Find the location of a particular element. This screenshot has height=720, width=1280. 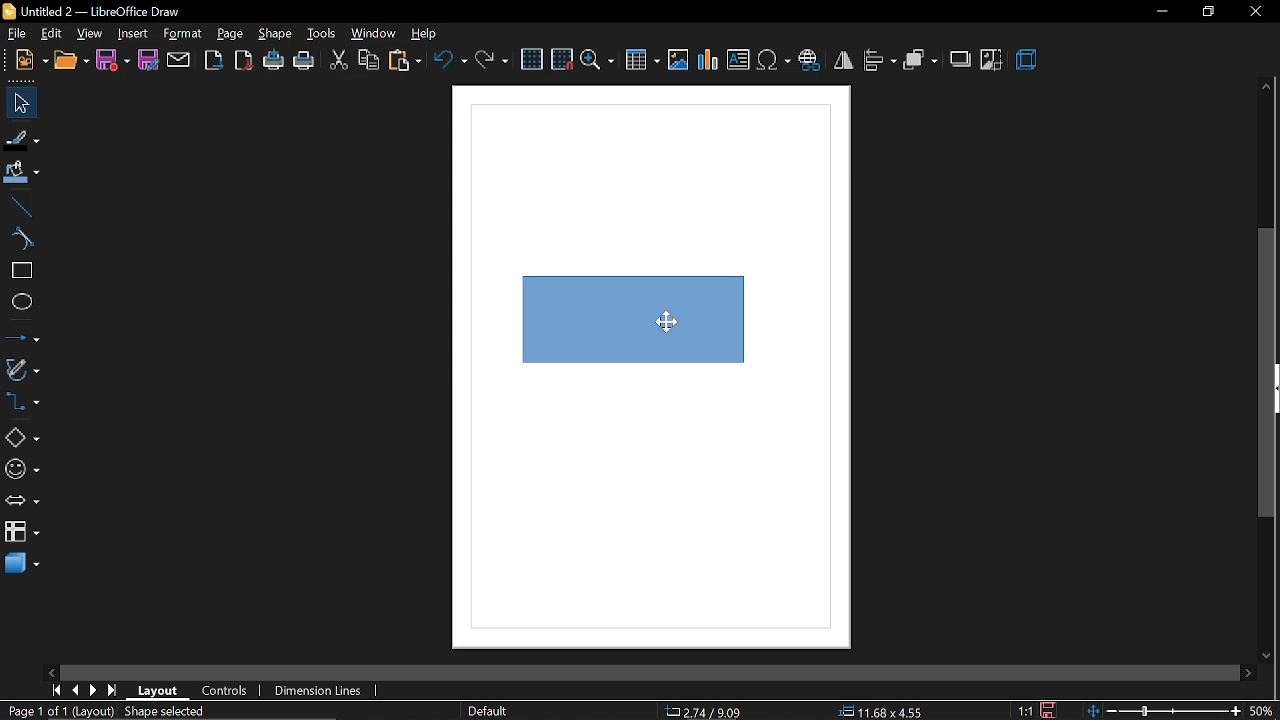

insert symbol is located at coordinates (773, 61).